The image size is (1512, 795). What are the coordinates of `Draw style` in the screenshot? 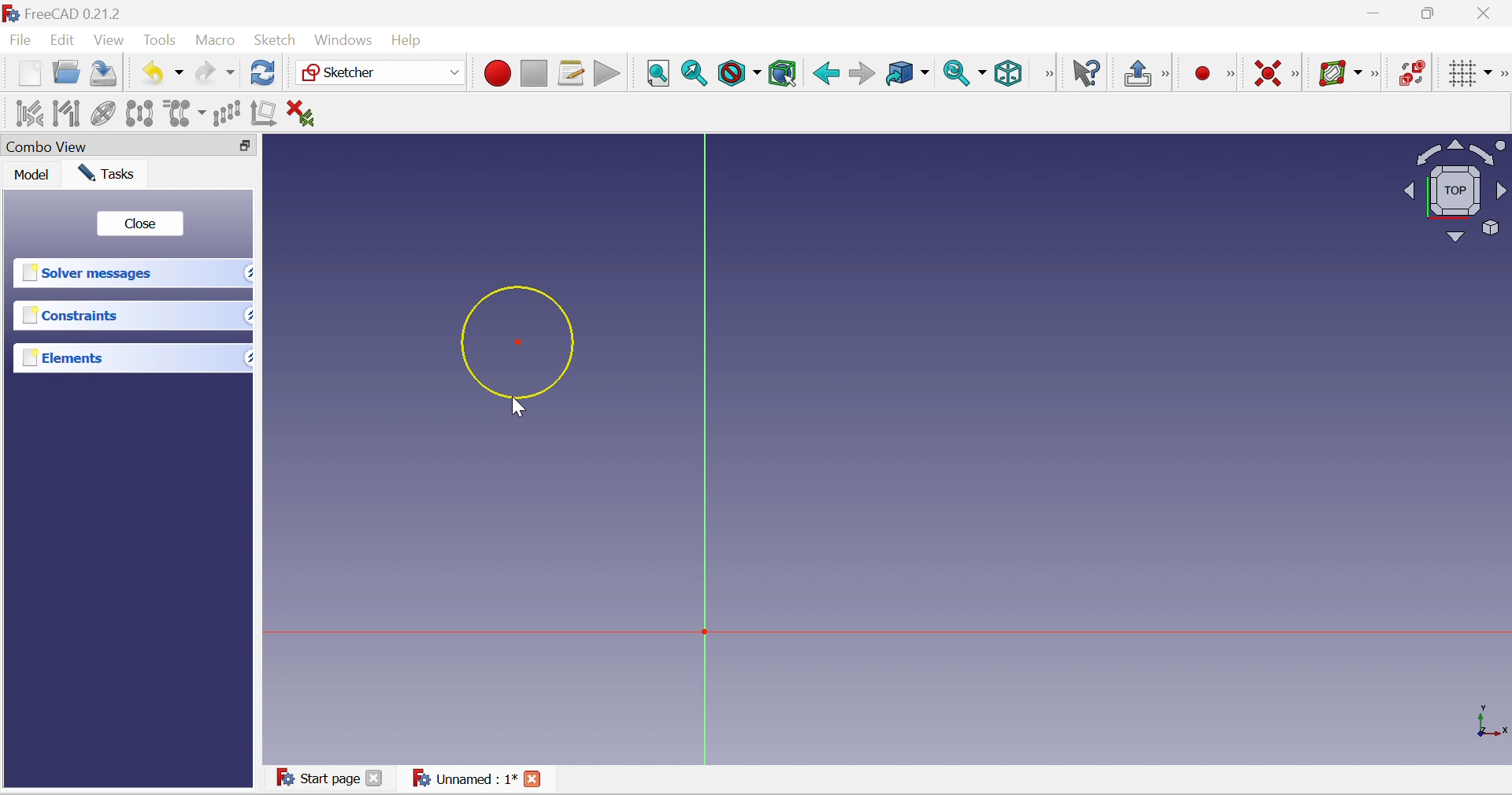 It's located at (739, 75).